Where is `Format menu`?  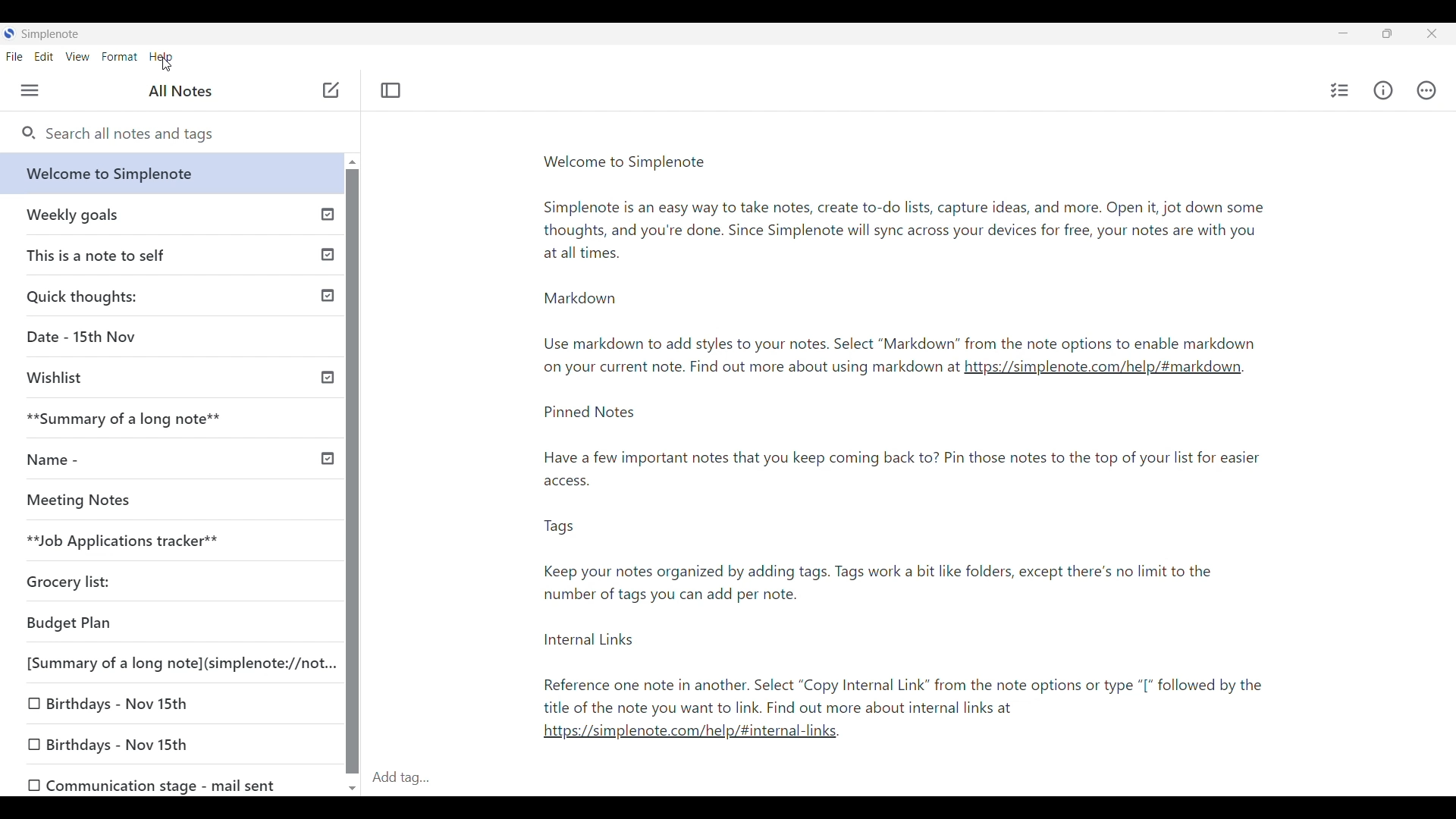 Format menu is located at coordinates (120, 57).